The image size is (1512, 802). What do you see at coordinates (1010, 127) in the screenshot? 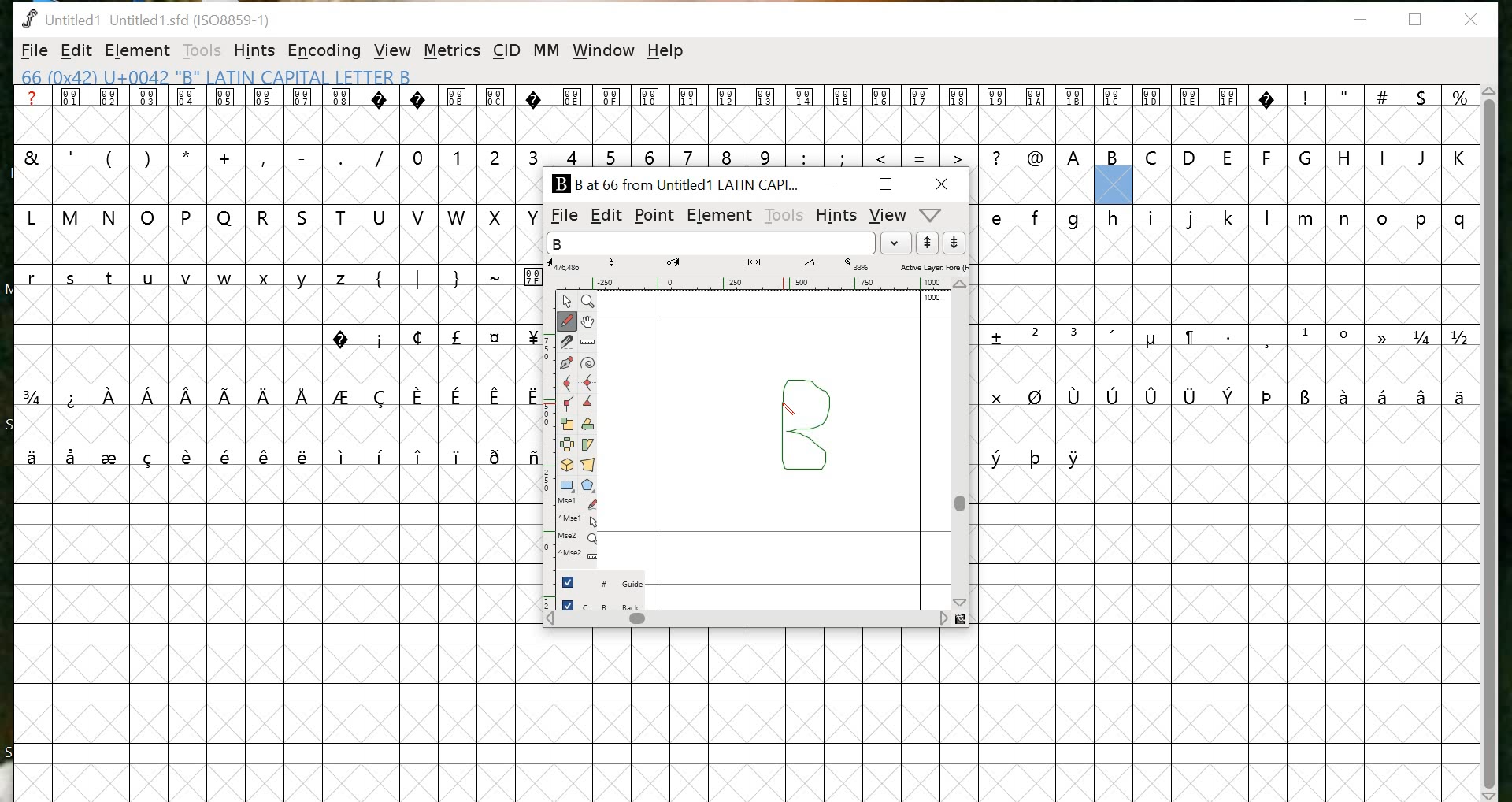
I see `glyphs` at bounding box center [1010, 127].